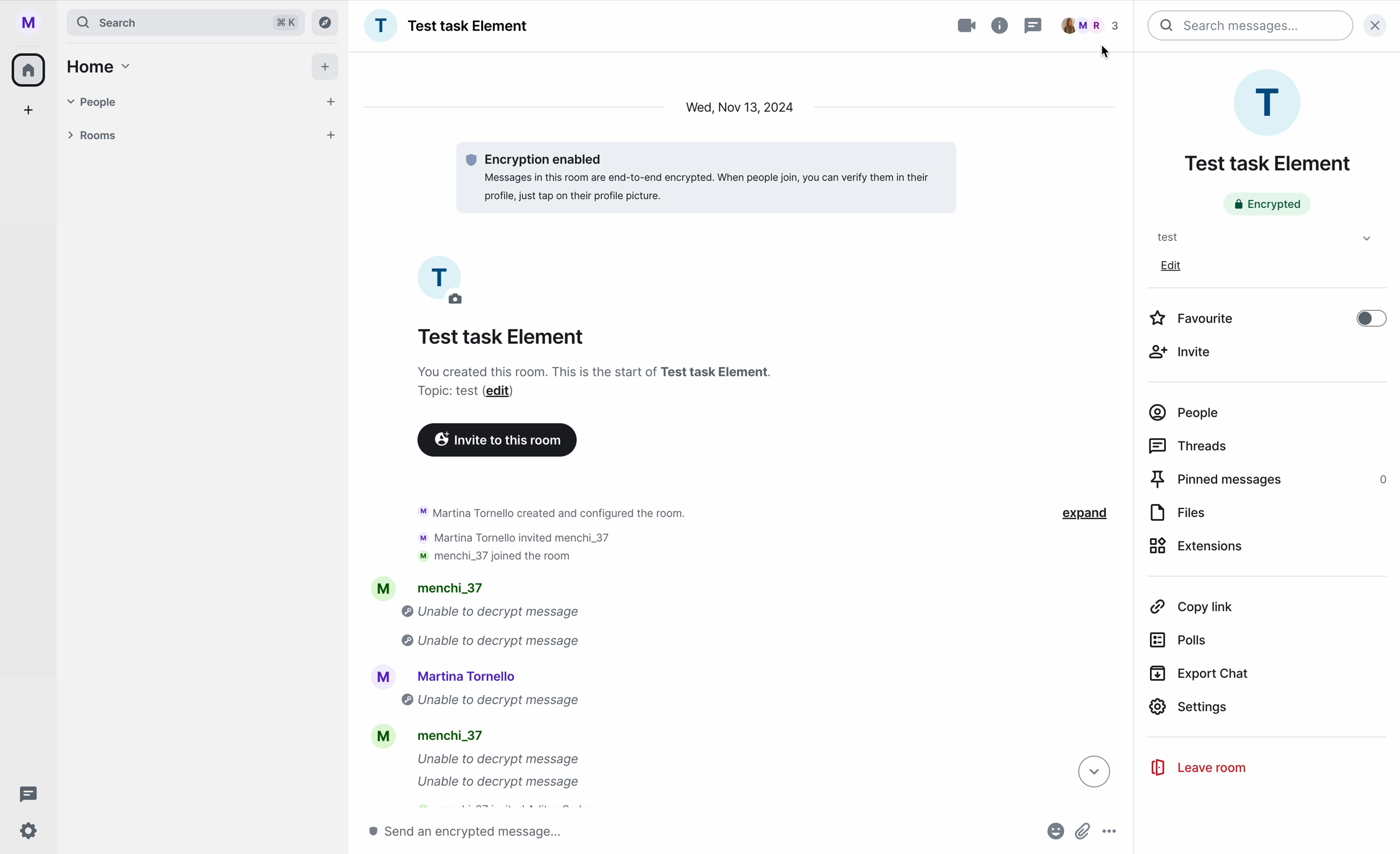 This screenshot has width=1400, height=854. I want to click on copy link, so click(1191, 607).